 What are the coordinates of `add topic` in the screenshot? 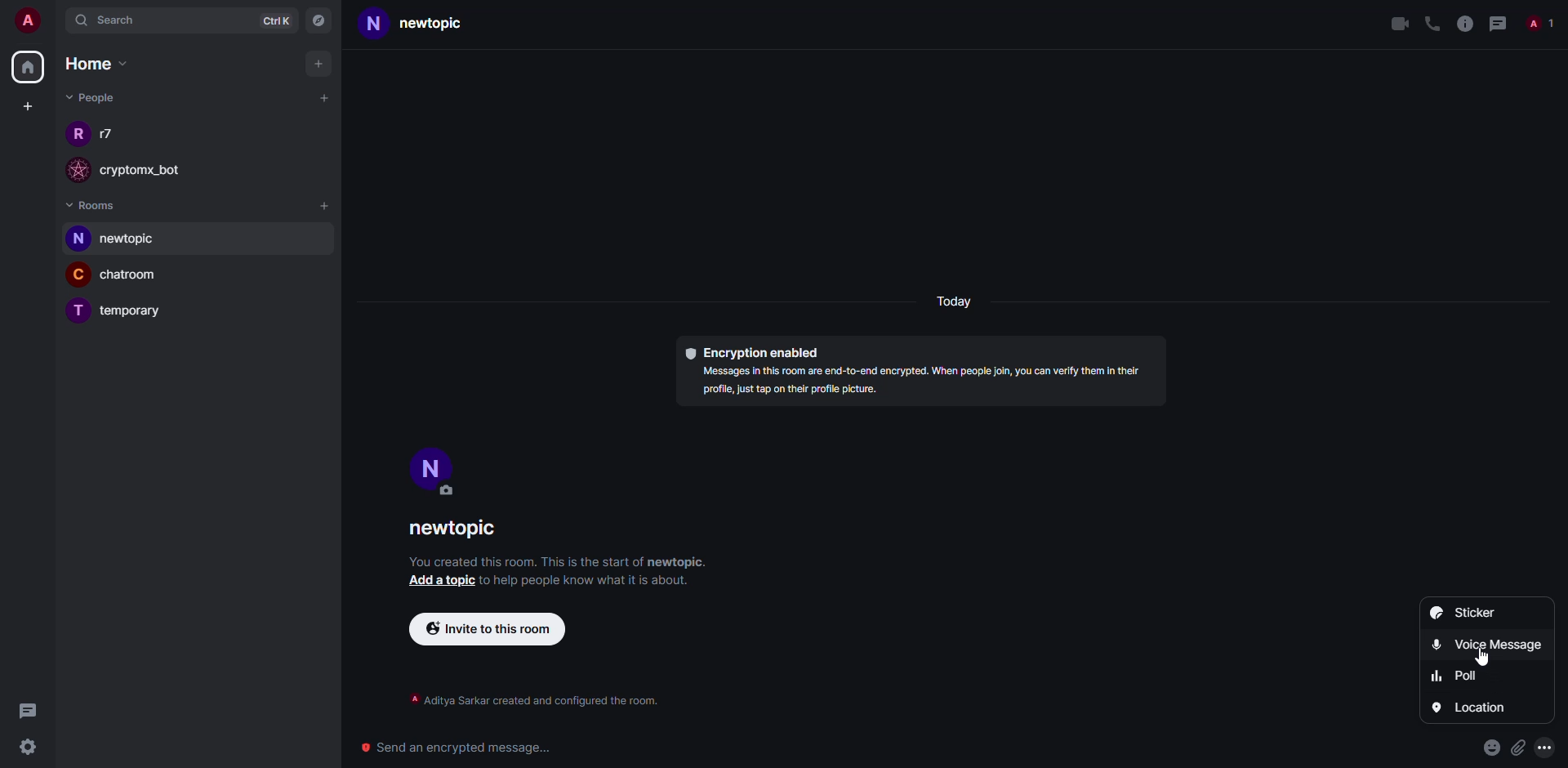 It's located at (442, 581).